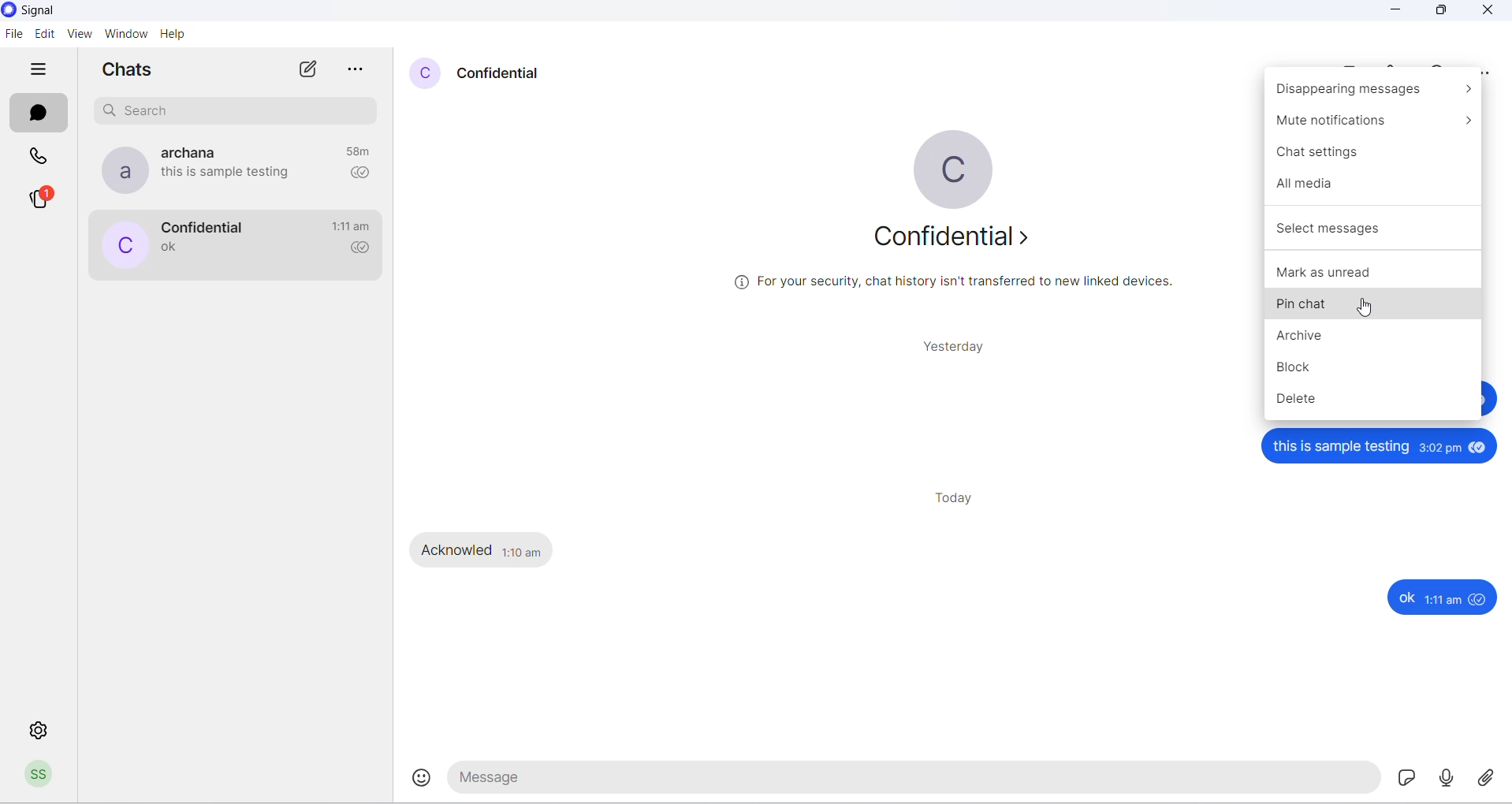 The width and height of the screenshot is (1512, 804). I want to click on last message time, so click(356, 151).